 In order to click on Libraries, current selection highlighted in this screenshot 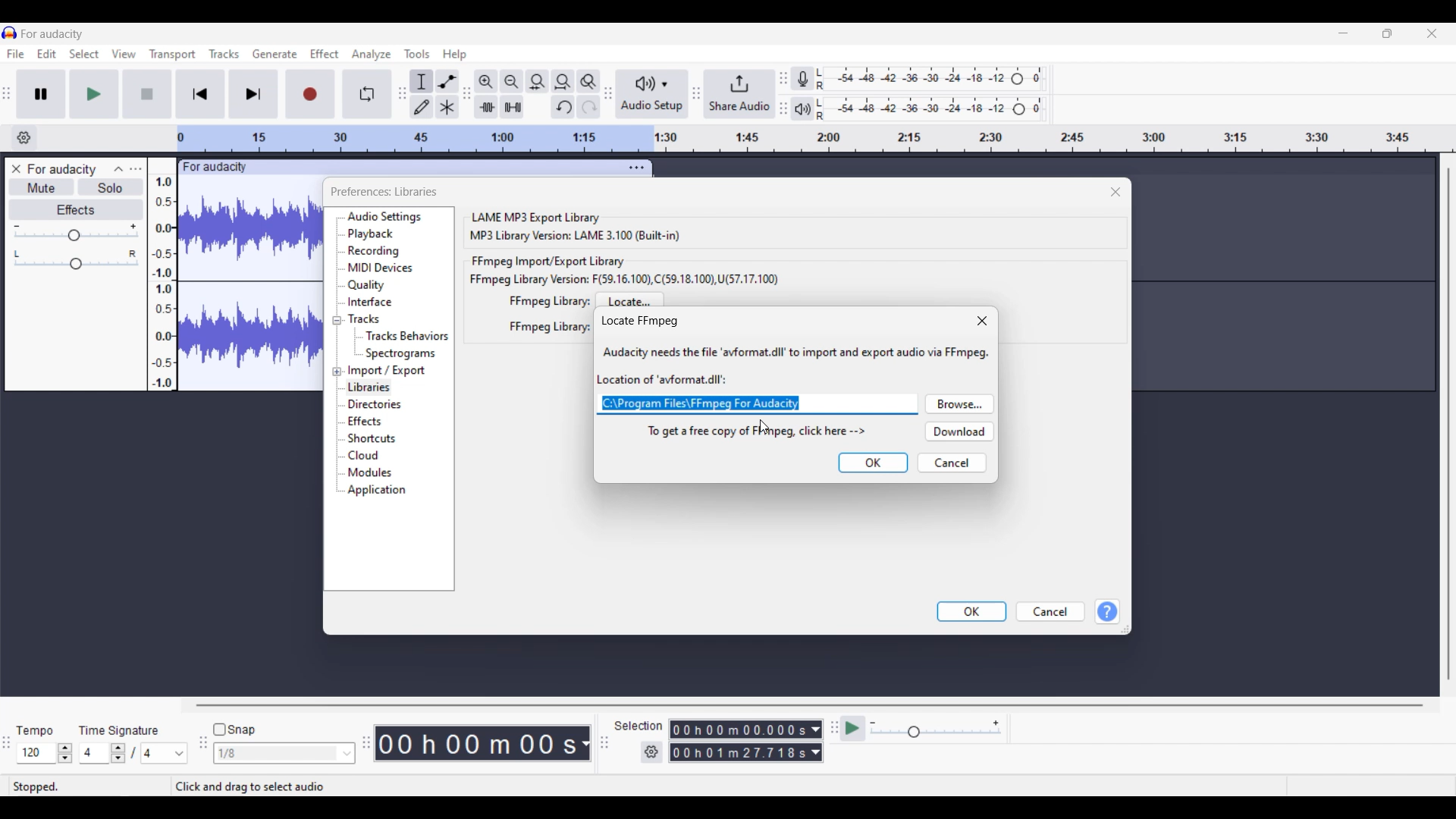, I will do `click(370, 388)`.